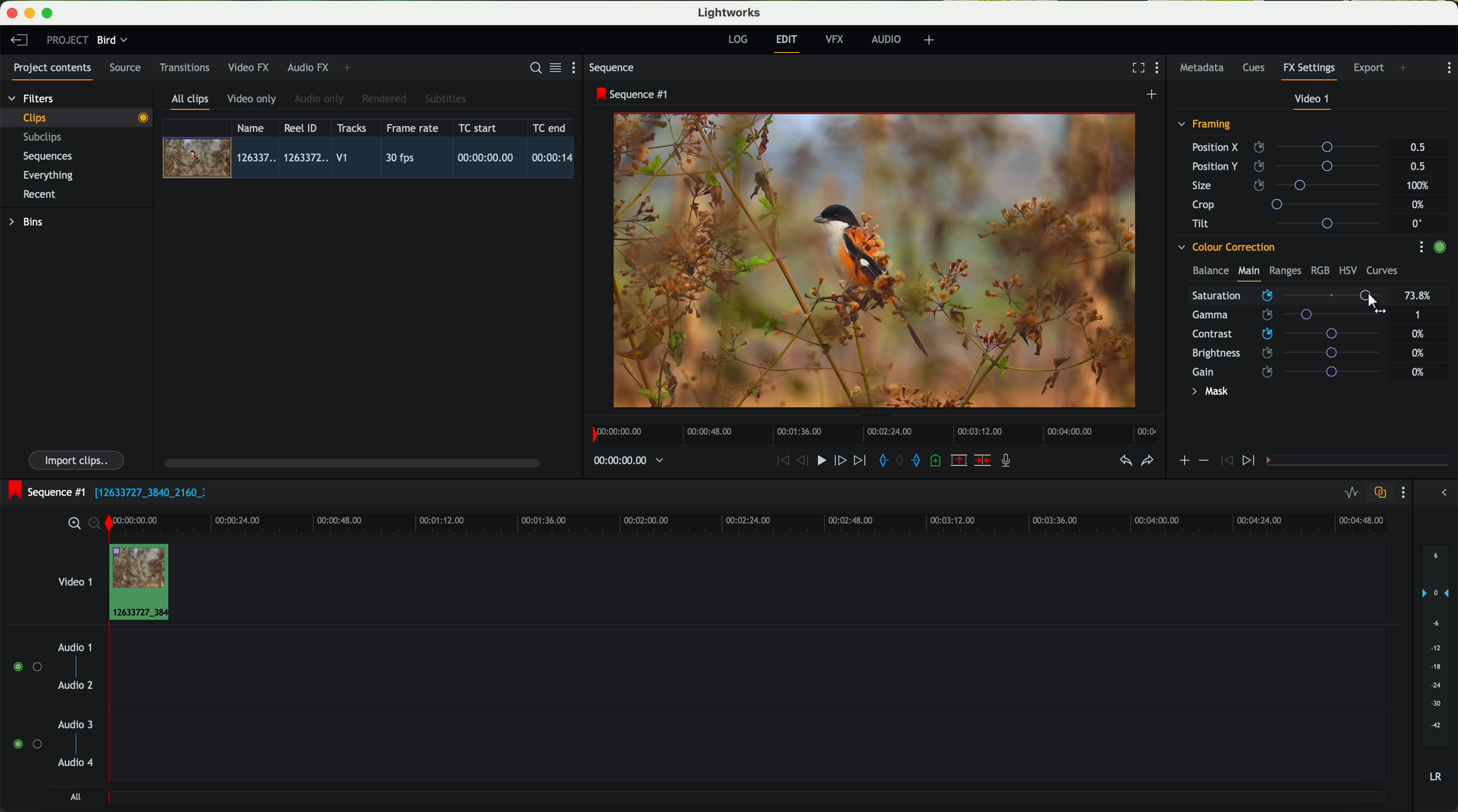  Describe the element at coordinates (1347, 270) in the screenshot. I see `HSV` at that location.